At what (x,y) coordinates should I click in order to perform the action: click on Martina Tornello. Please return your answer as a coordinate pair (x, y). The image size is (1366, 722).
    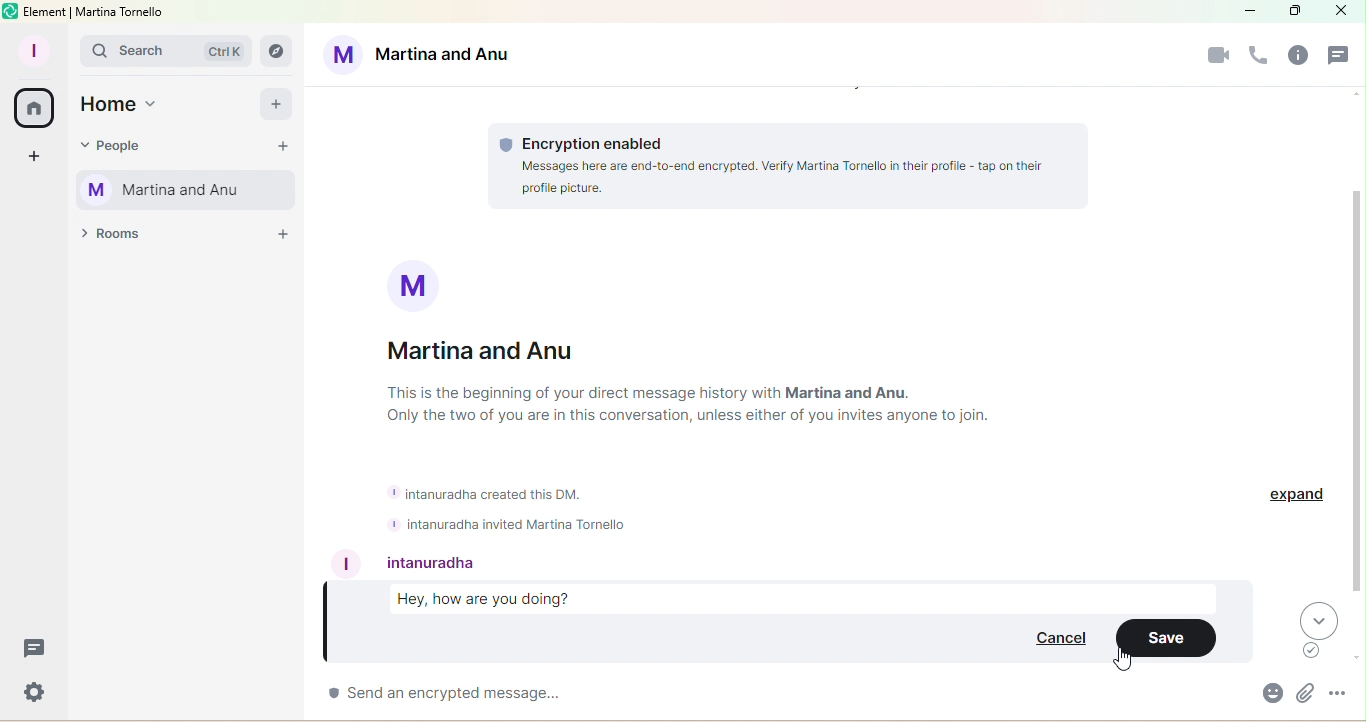
    Looking at the image, I should click on (190, 191).